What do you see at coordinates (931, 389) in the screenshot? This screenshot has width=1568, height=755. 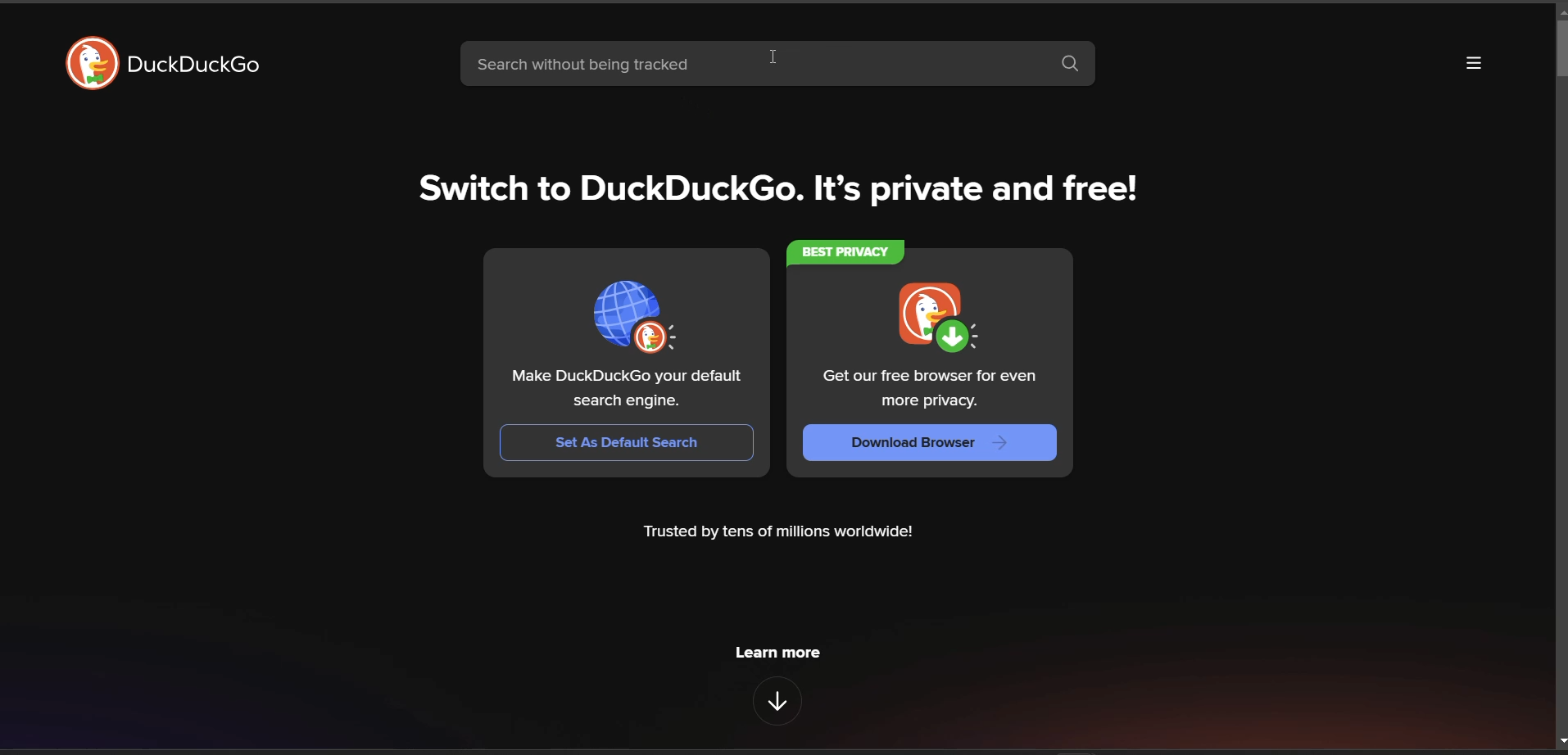 I see `Get our free browser for even more privacy.` at bounding box center [931, 389].